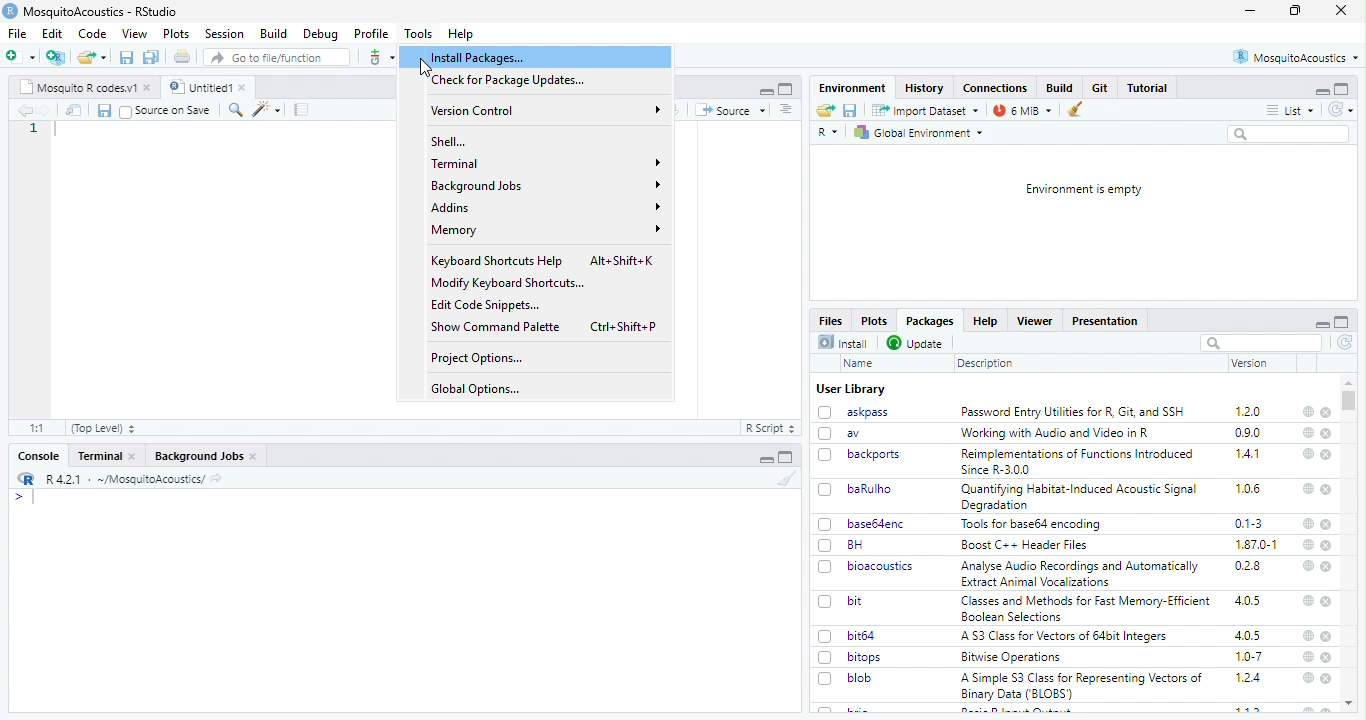  I want to click on Environment, so click(854, 88).